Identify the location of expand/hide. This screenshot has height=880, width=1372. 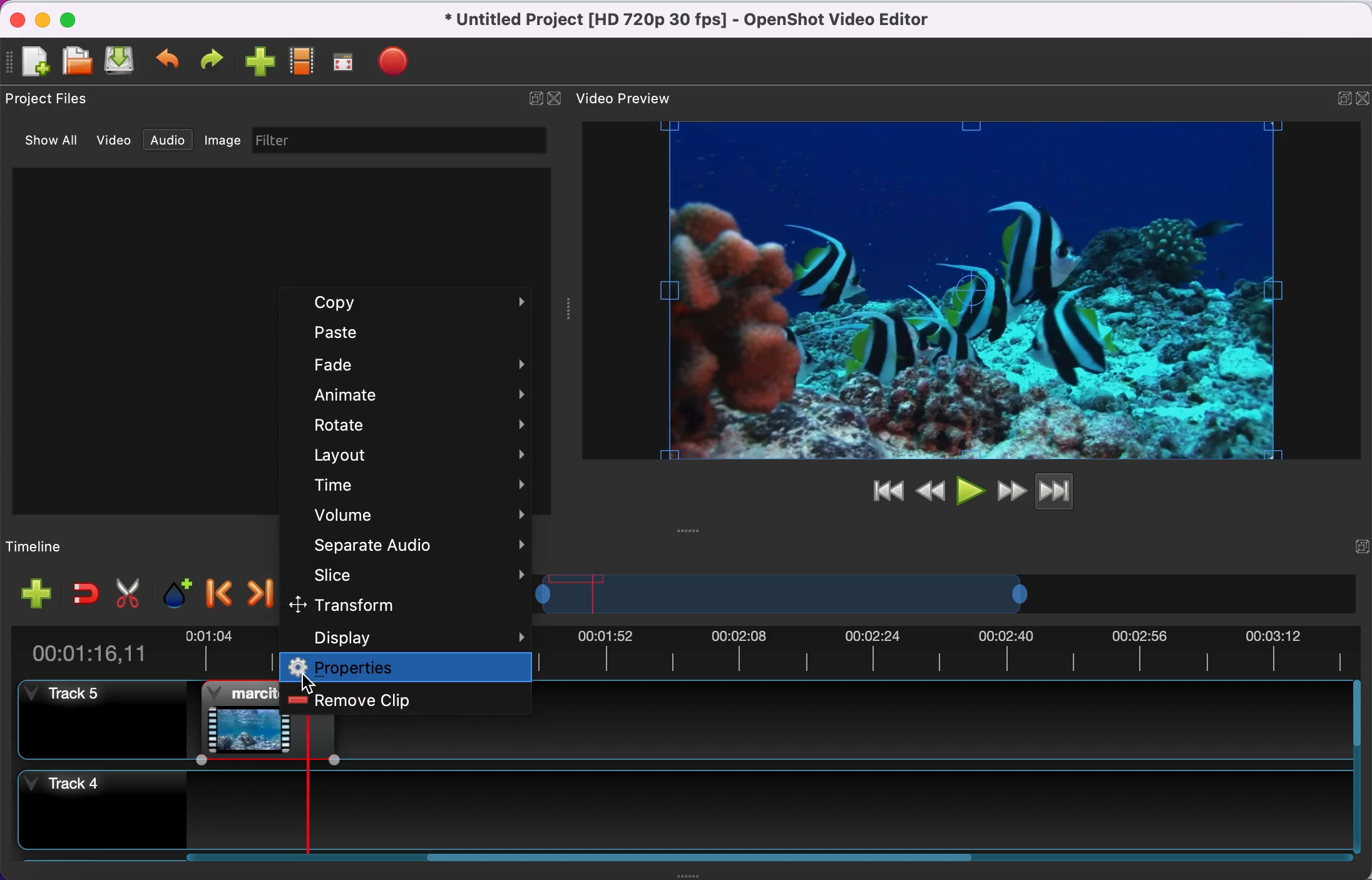
(528, 100).